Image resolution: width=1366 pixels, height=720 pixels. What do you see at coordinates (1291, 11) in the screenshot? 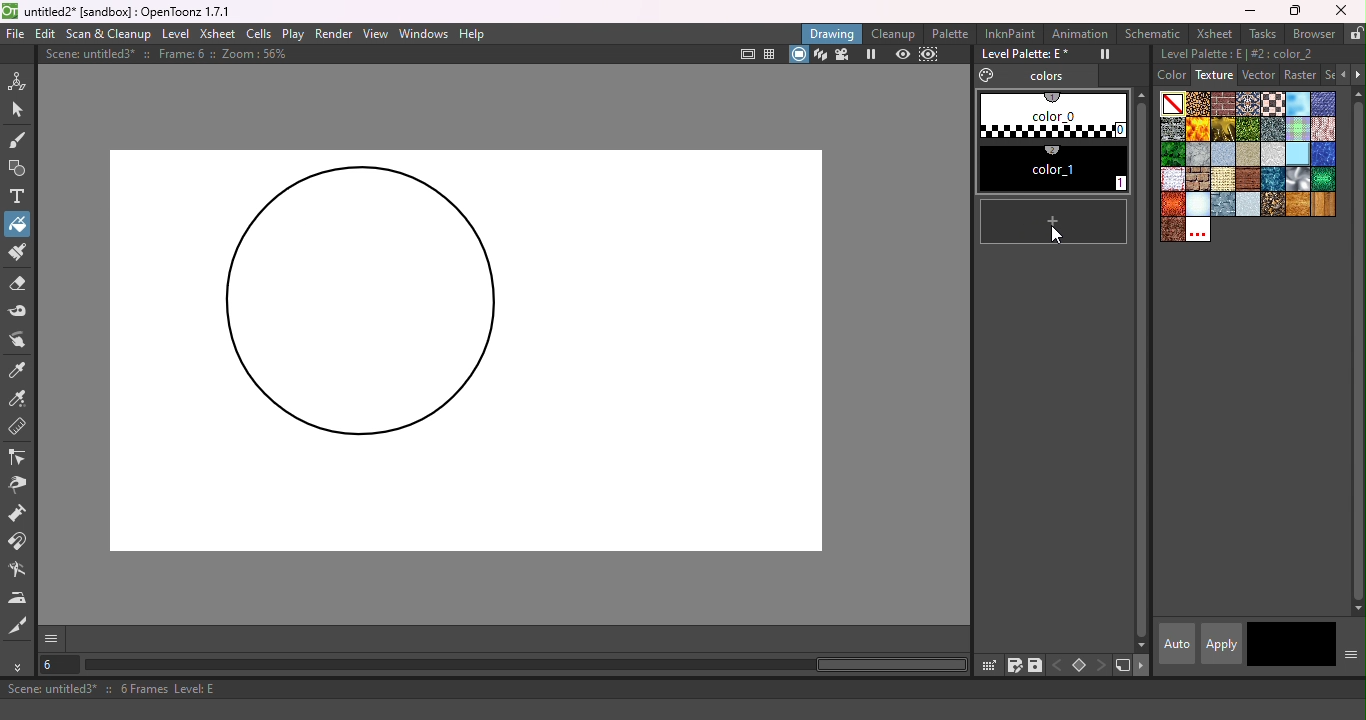
I see `Maximize` at bounding box center [1291, 11].